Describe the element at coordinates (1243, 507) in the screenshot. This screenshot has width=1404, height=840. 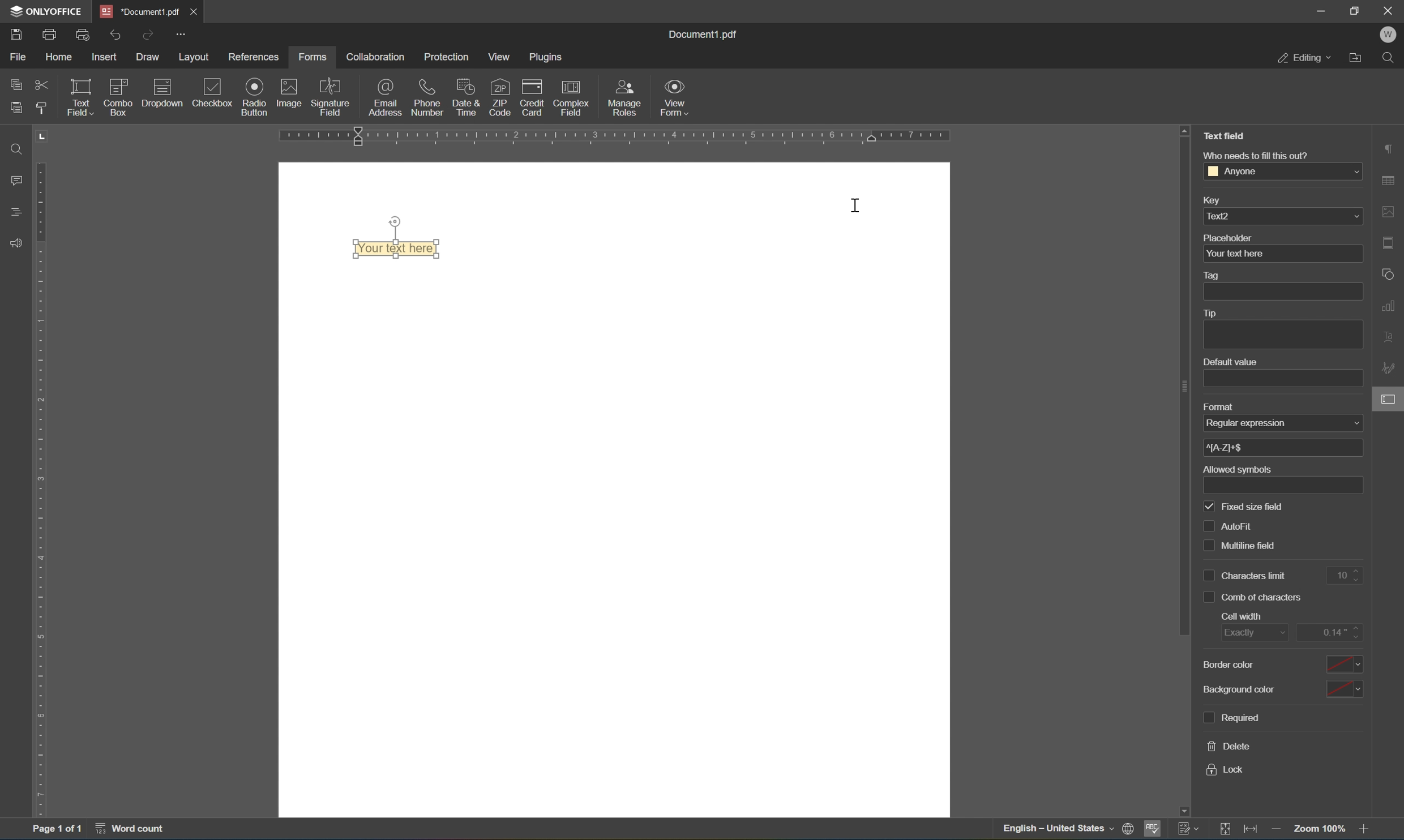
I see `fixed size field` at that location.